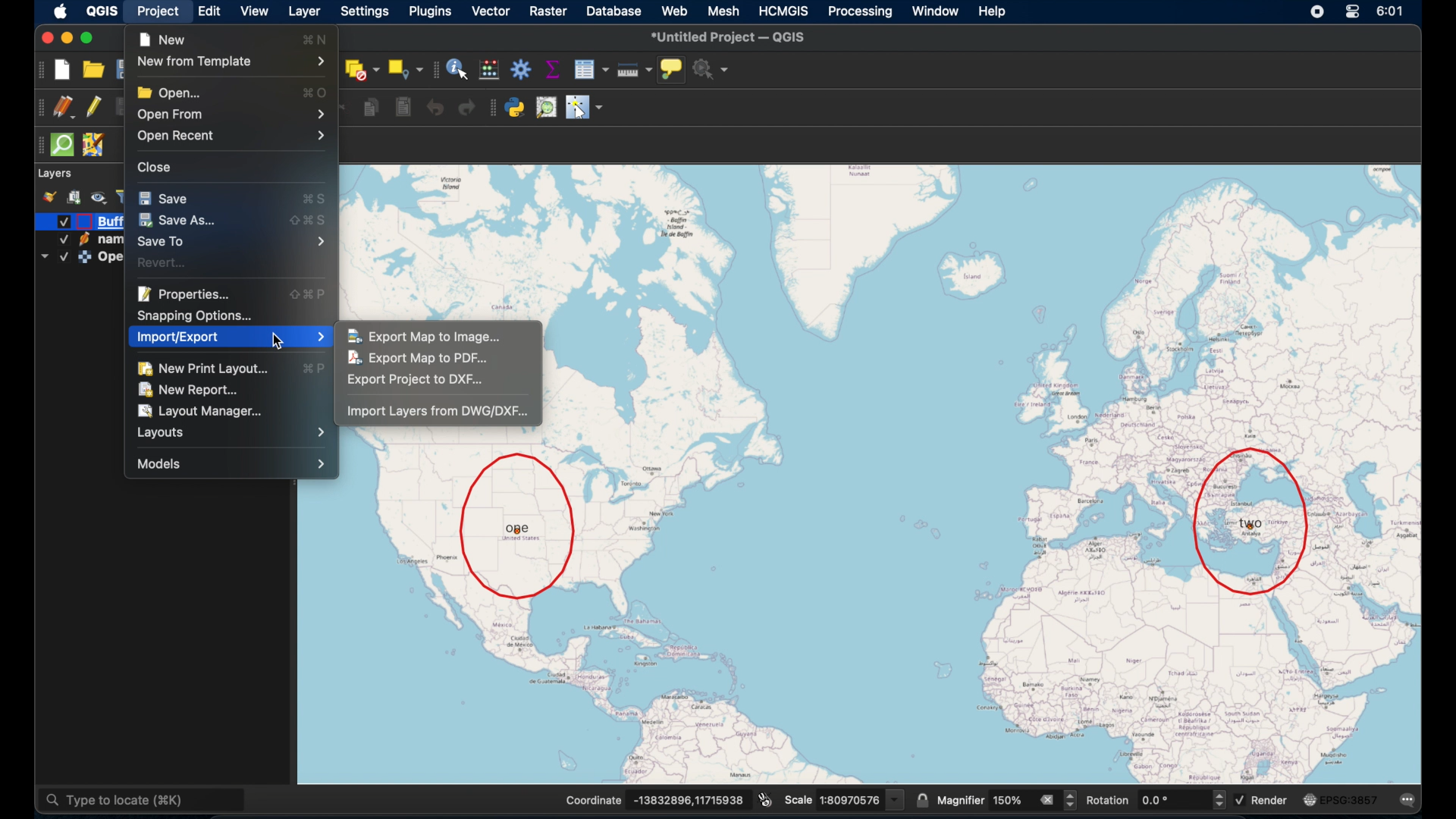  Describe the element at coordinates (418, 359) in the screenshot. I see `export map to pdf` at that location.